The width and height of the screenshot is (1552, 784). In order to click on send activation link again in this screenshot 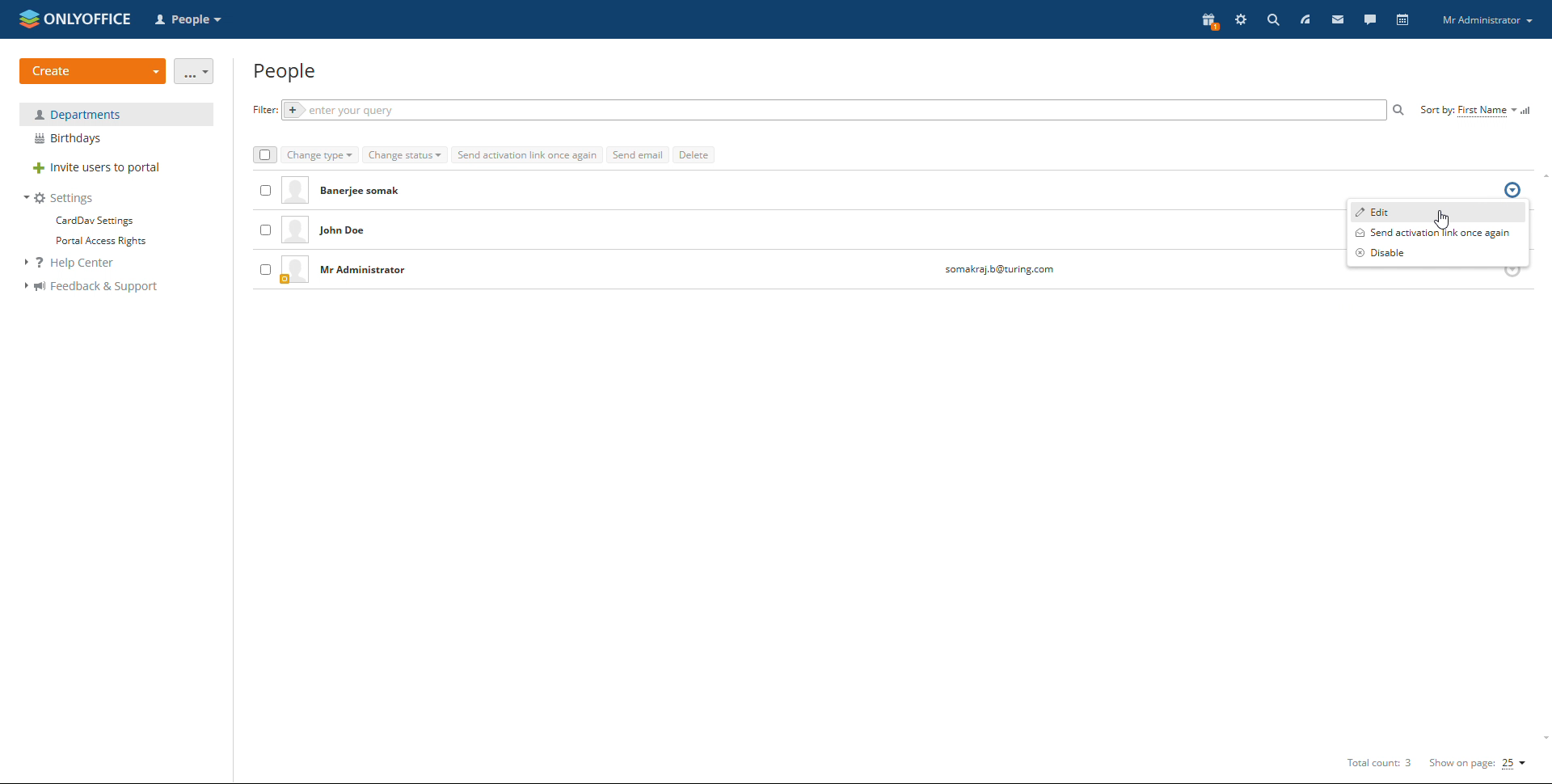, I will do `click(1438, 233)`.